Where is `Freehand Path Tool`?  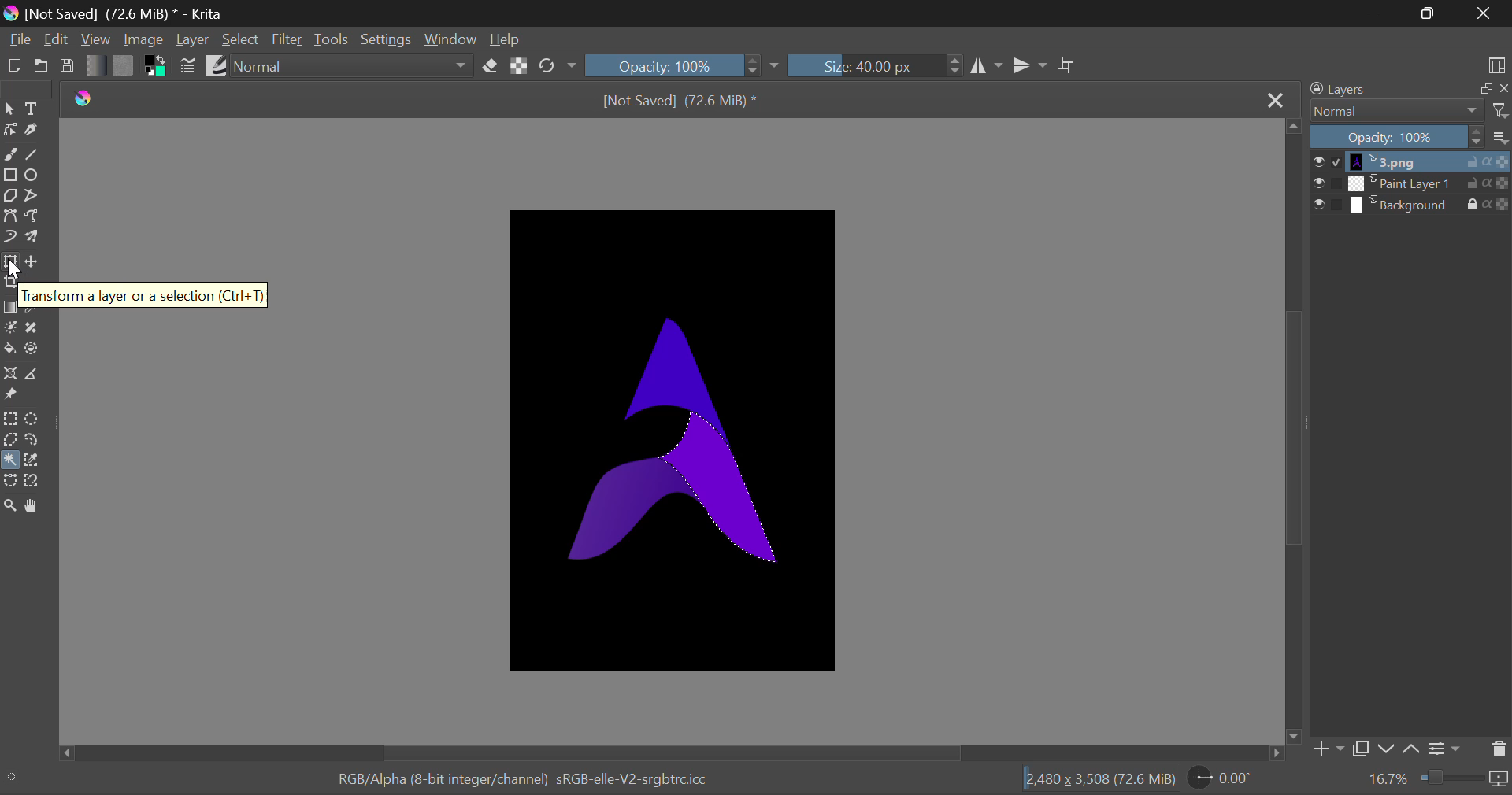 Freehand Path Tool is located at coordinates (36, 217).